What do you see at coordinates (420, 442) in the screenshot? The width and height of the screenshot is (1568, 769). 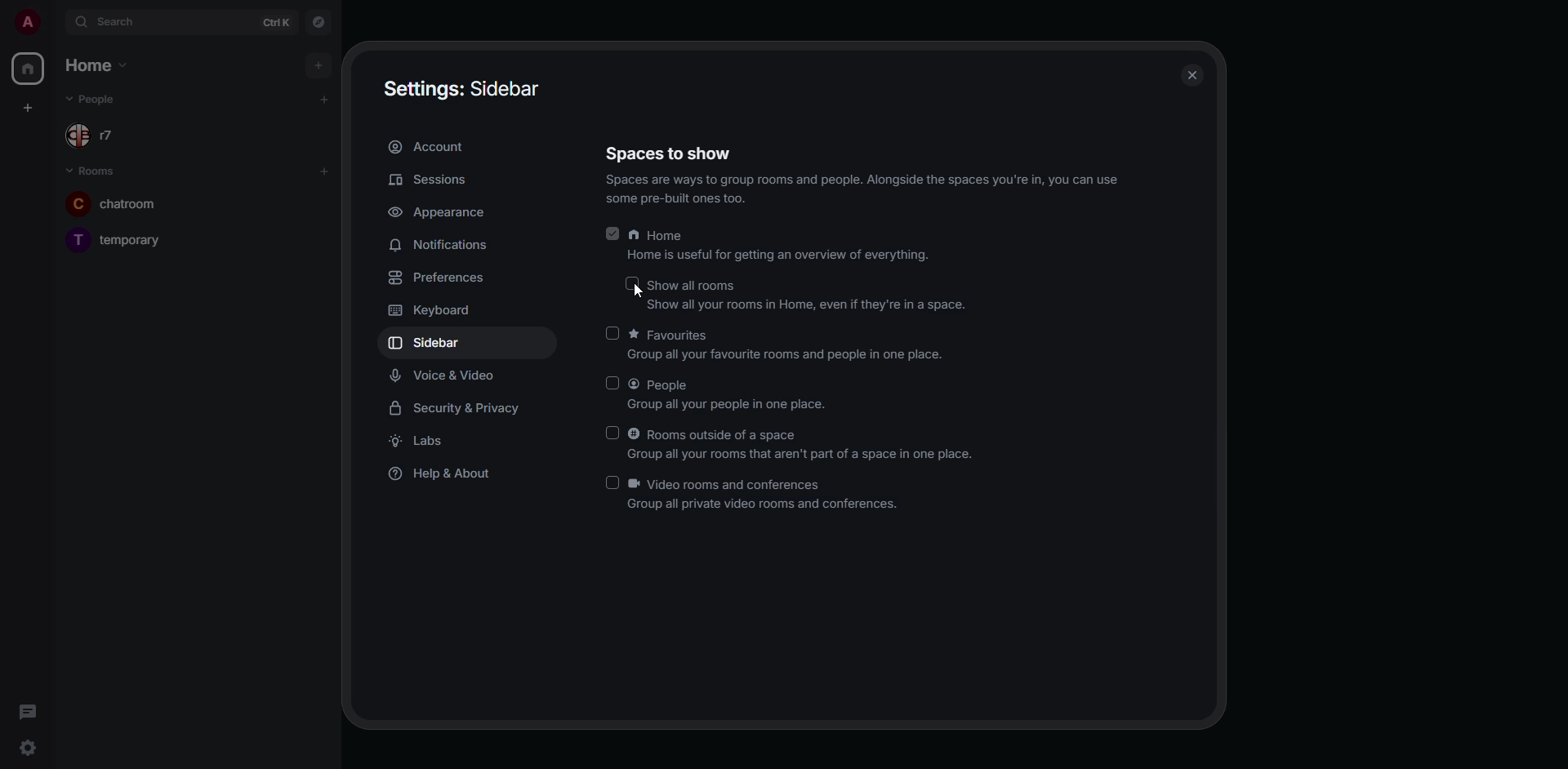 I see `labs` at bounding box center [420, 442].